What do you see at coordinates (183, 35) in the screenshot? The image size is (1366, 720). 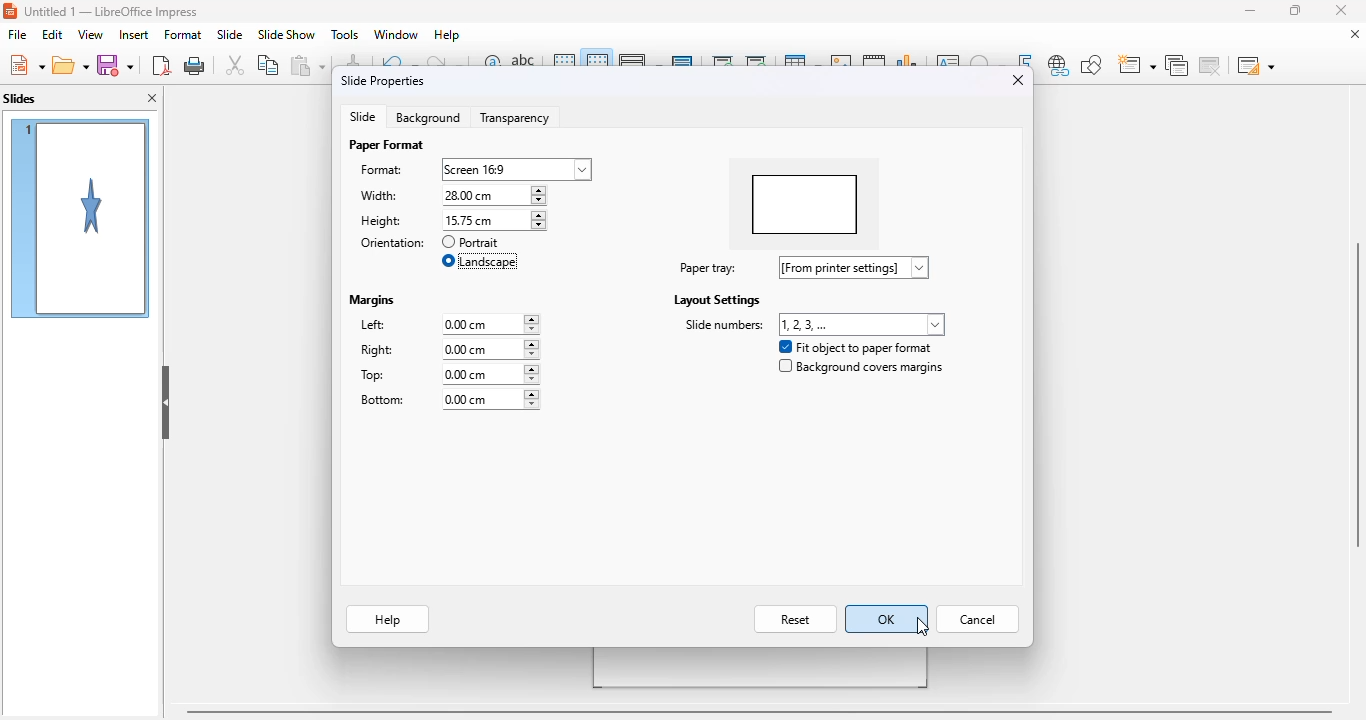 I see `format` at bounding box center [183, 35].